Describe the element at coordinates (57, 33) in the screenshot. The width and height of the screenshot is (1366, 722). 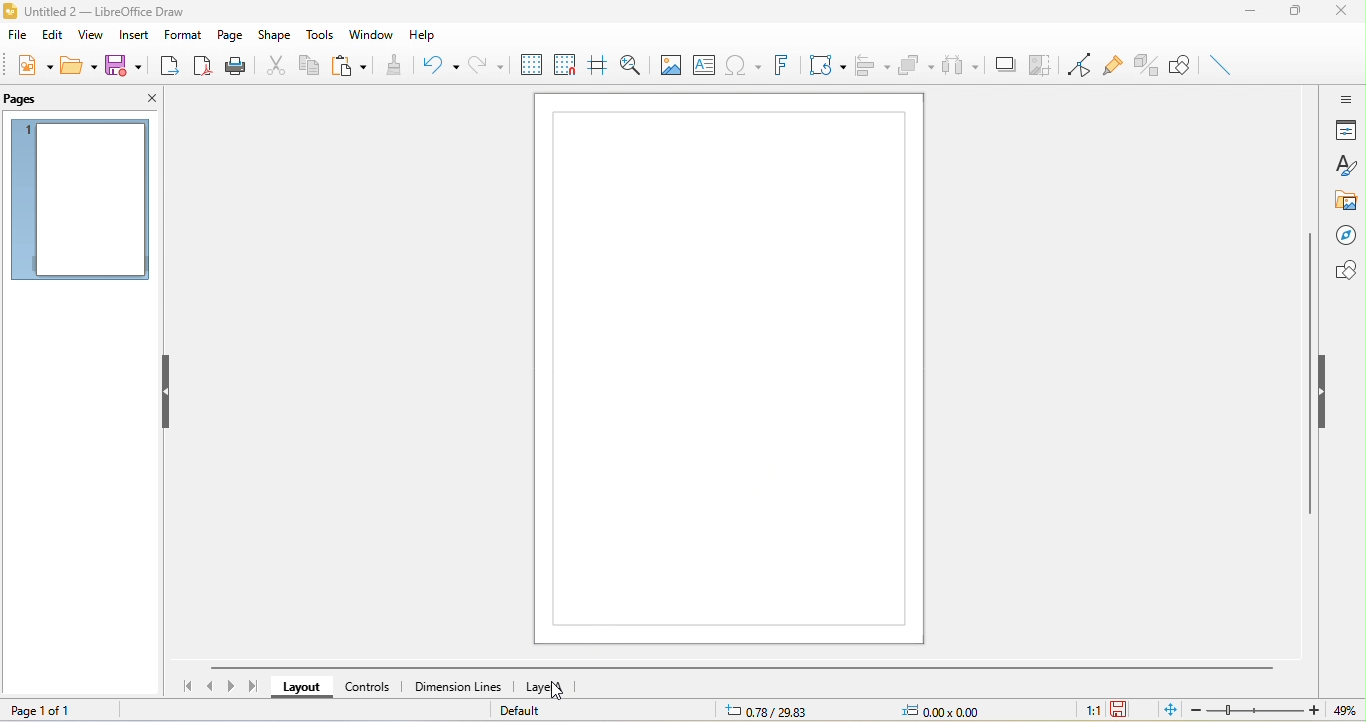
I see `edit` at that location.